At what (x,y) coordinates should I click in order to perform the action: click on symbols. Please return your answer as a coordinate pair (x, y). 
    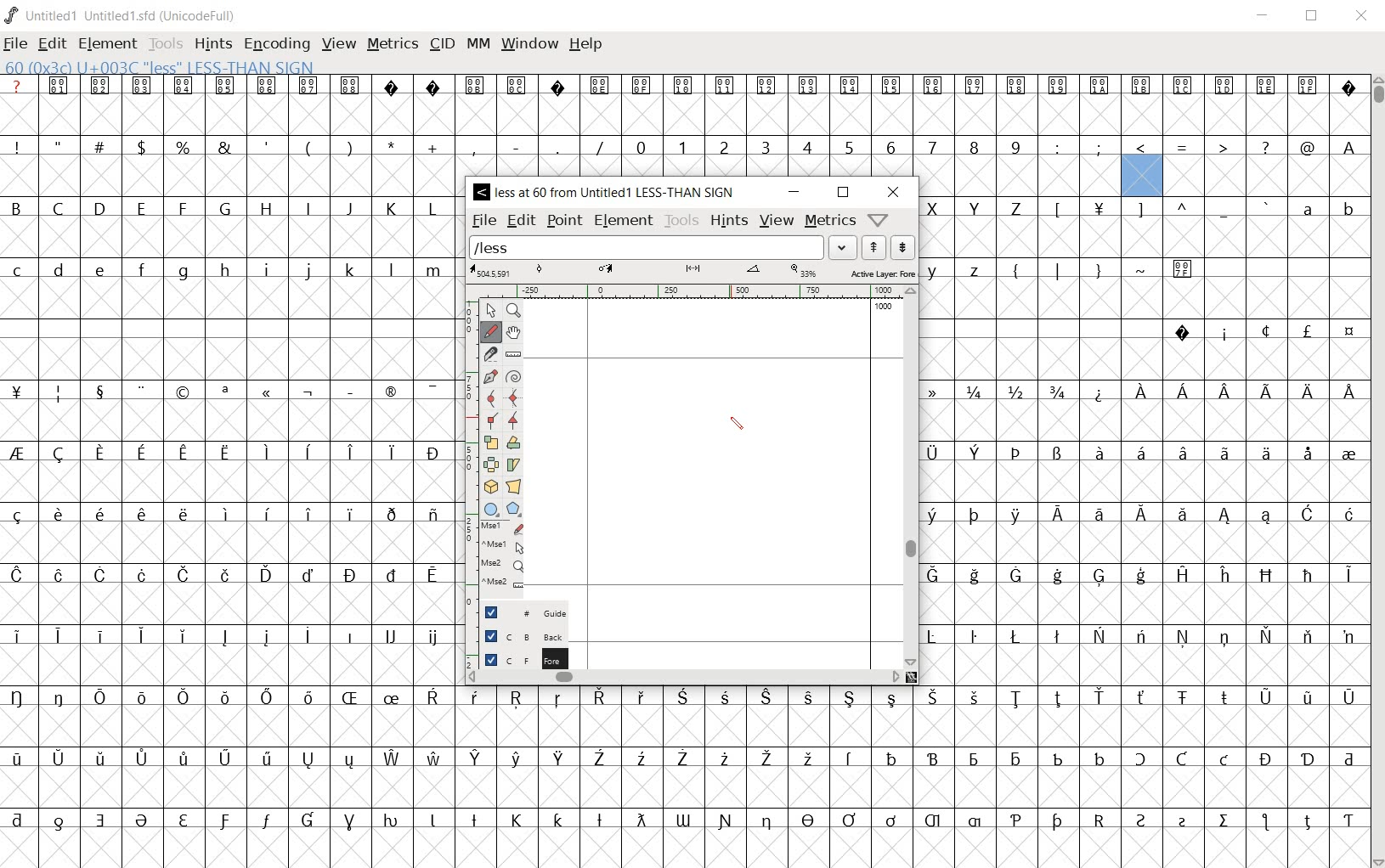
    Looking at the image, I should click on (1185, 144).